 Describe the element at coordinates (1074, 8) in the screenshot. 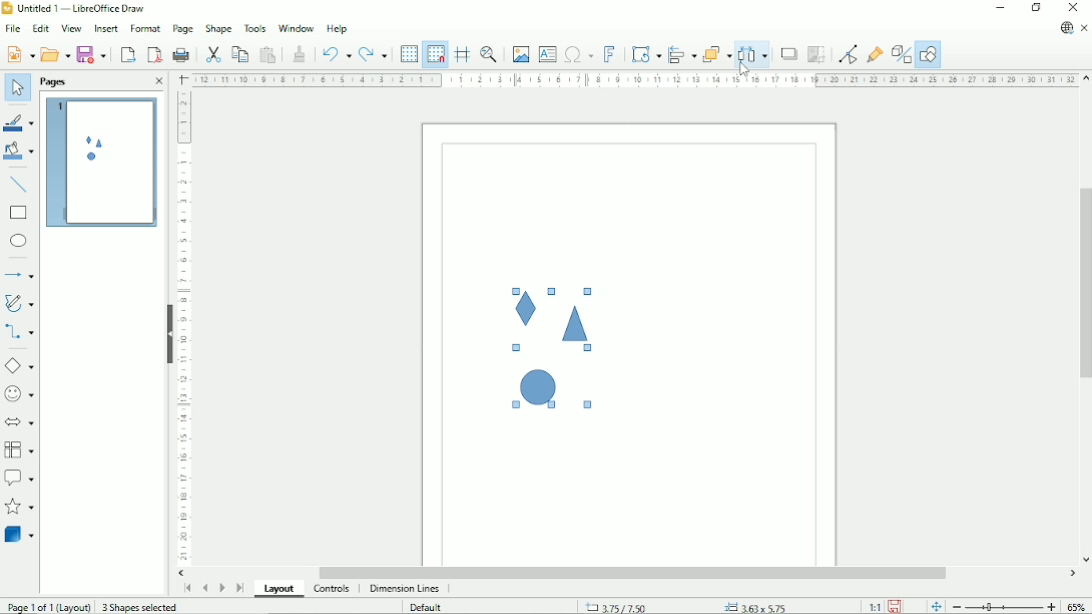

I see `Close` at that location.